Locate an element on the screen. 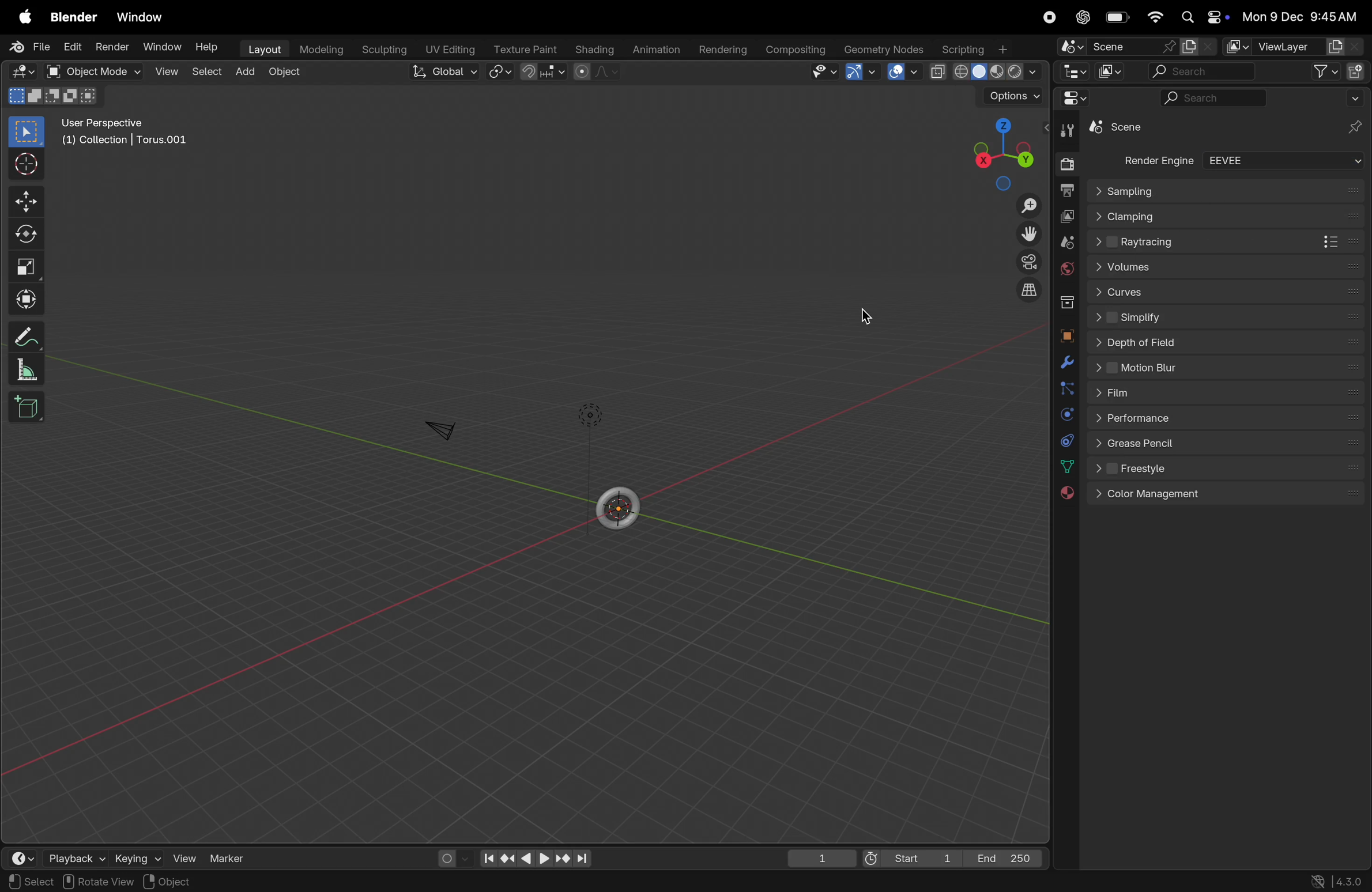  Annotate is located at coordinates (28, 336).